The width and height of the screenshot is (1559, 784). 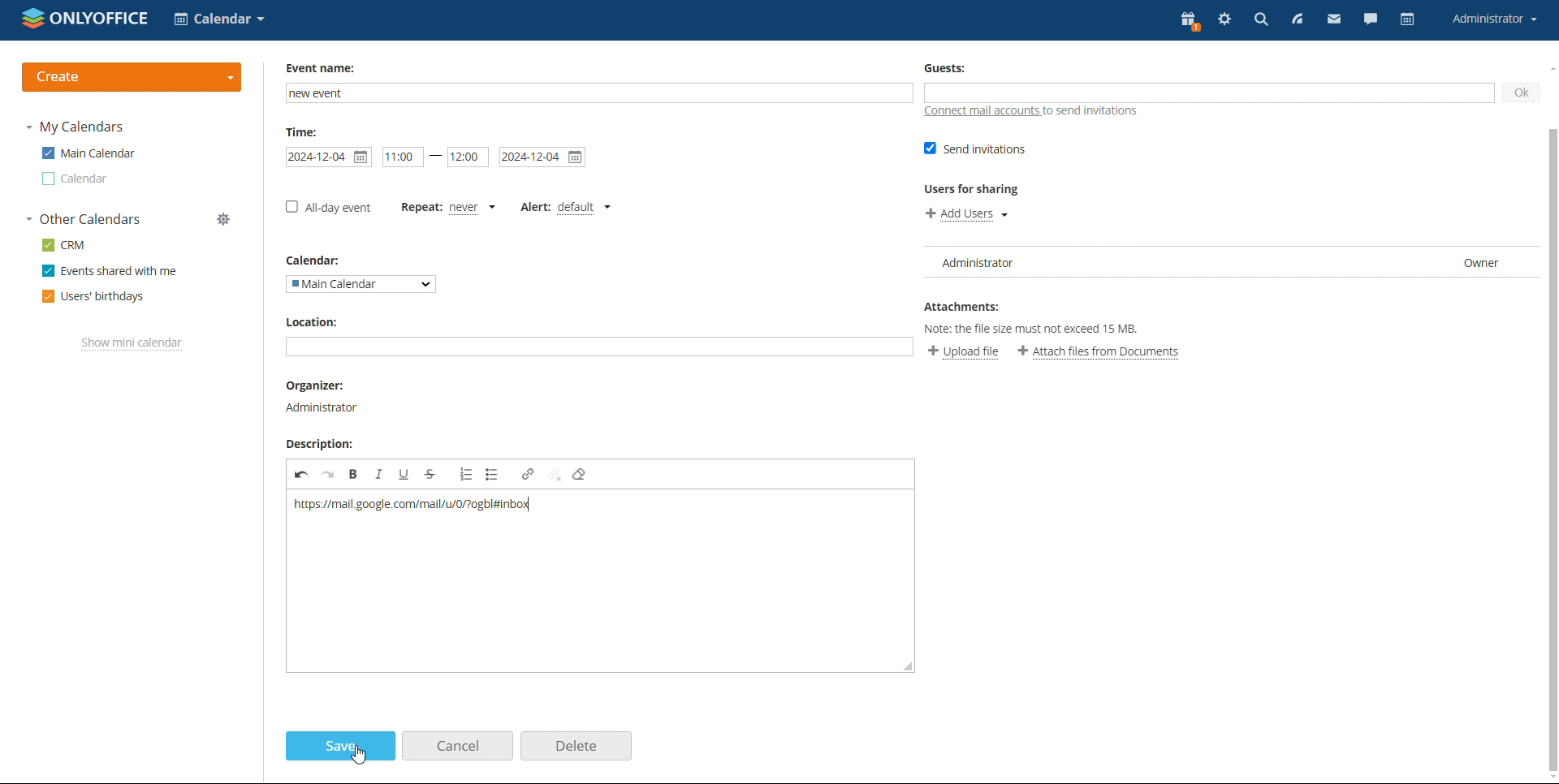 I want to click on set repetition, so click(x=419, y=207).